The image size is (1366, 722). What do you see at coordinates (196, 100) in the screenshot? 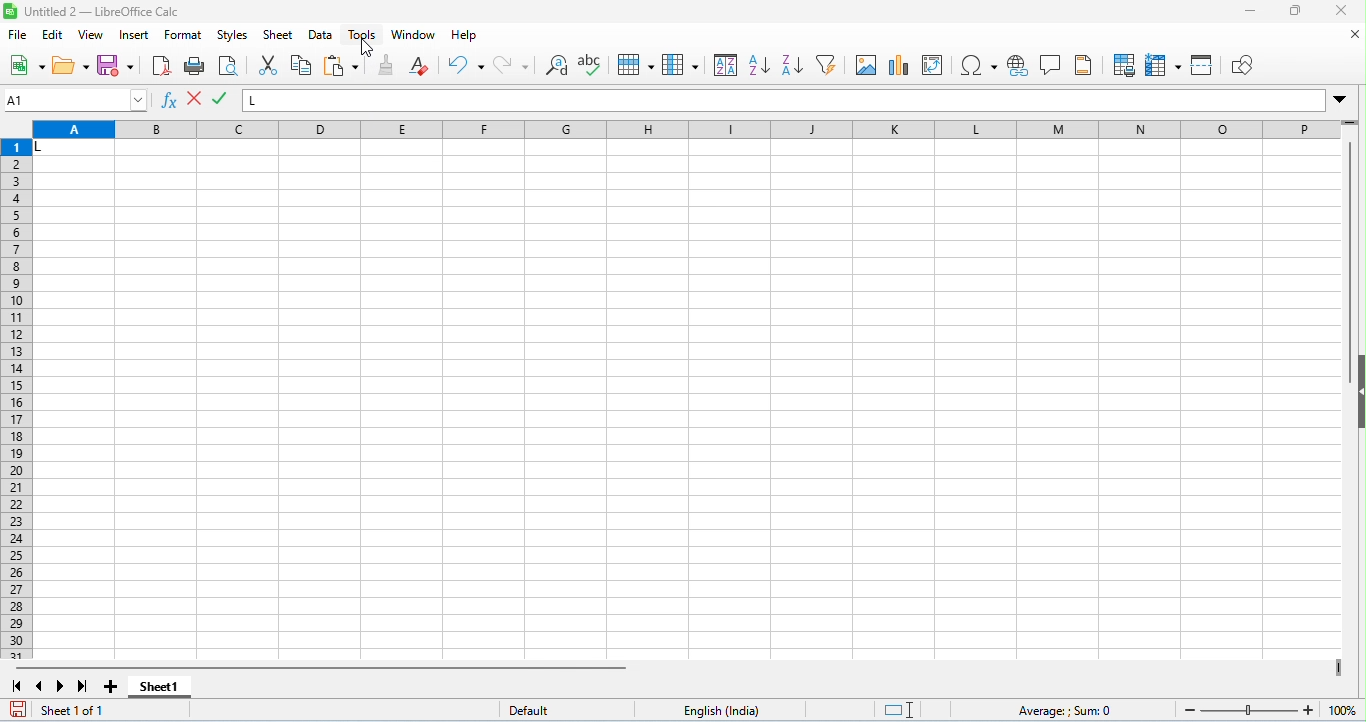
I see `accept` at bounding box center [196, 100].